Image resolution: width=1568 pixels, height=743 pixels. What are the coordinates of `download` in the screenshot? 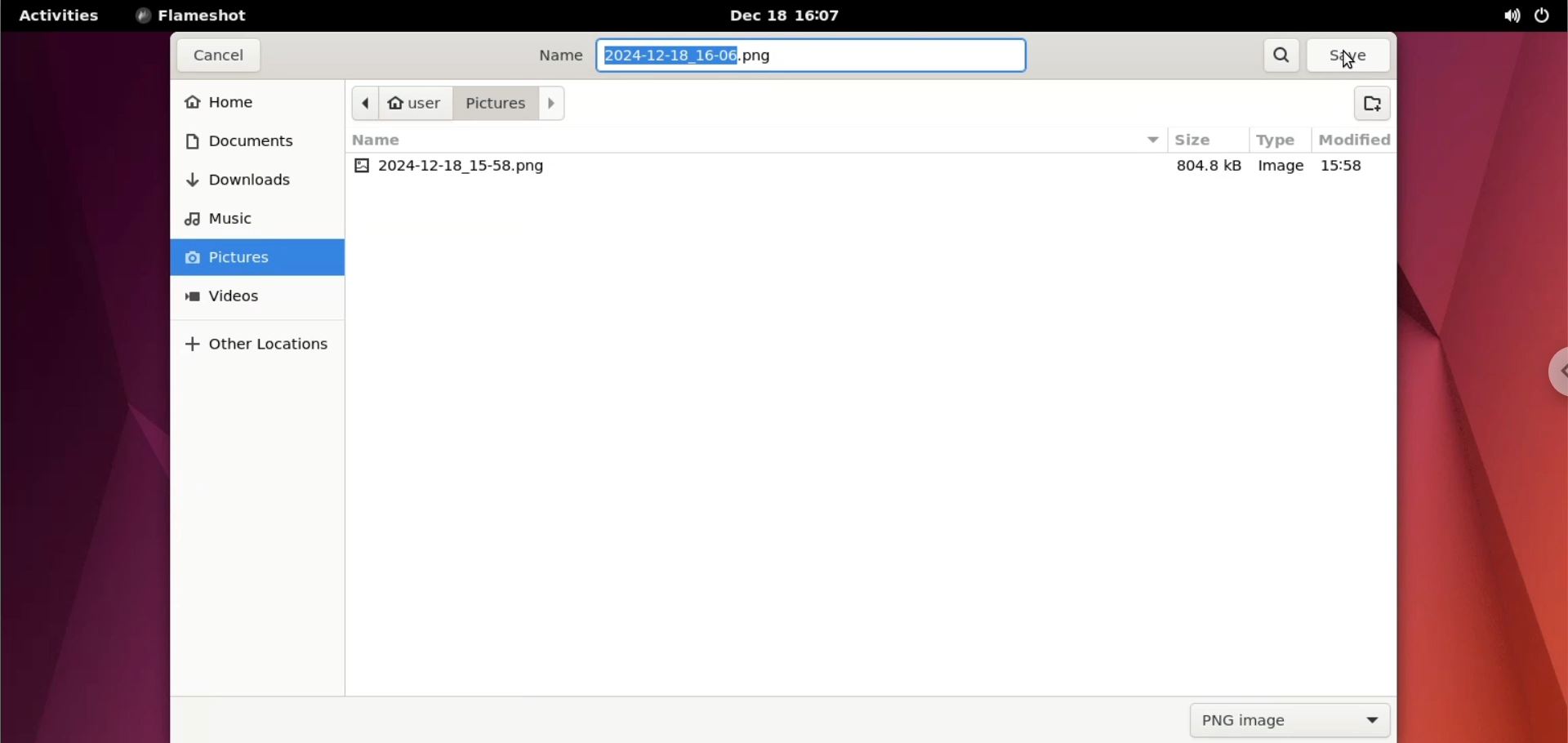 It's located at (252, 179).